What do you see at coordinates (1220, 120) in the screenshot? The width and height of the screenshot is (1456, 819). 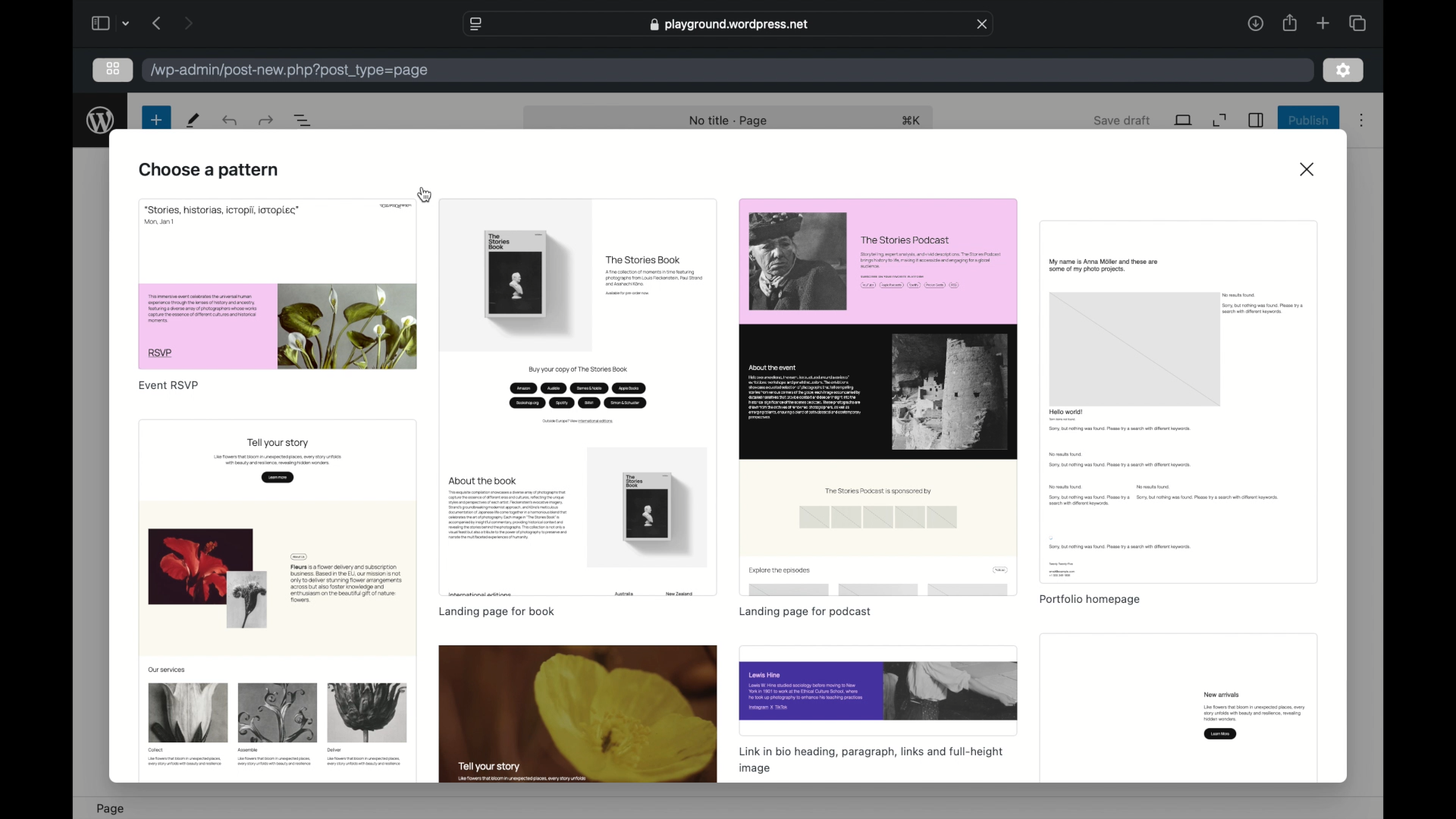 I see `expand` at bounding box center [1220, 120].